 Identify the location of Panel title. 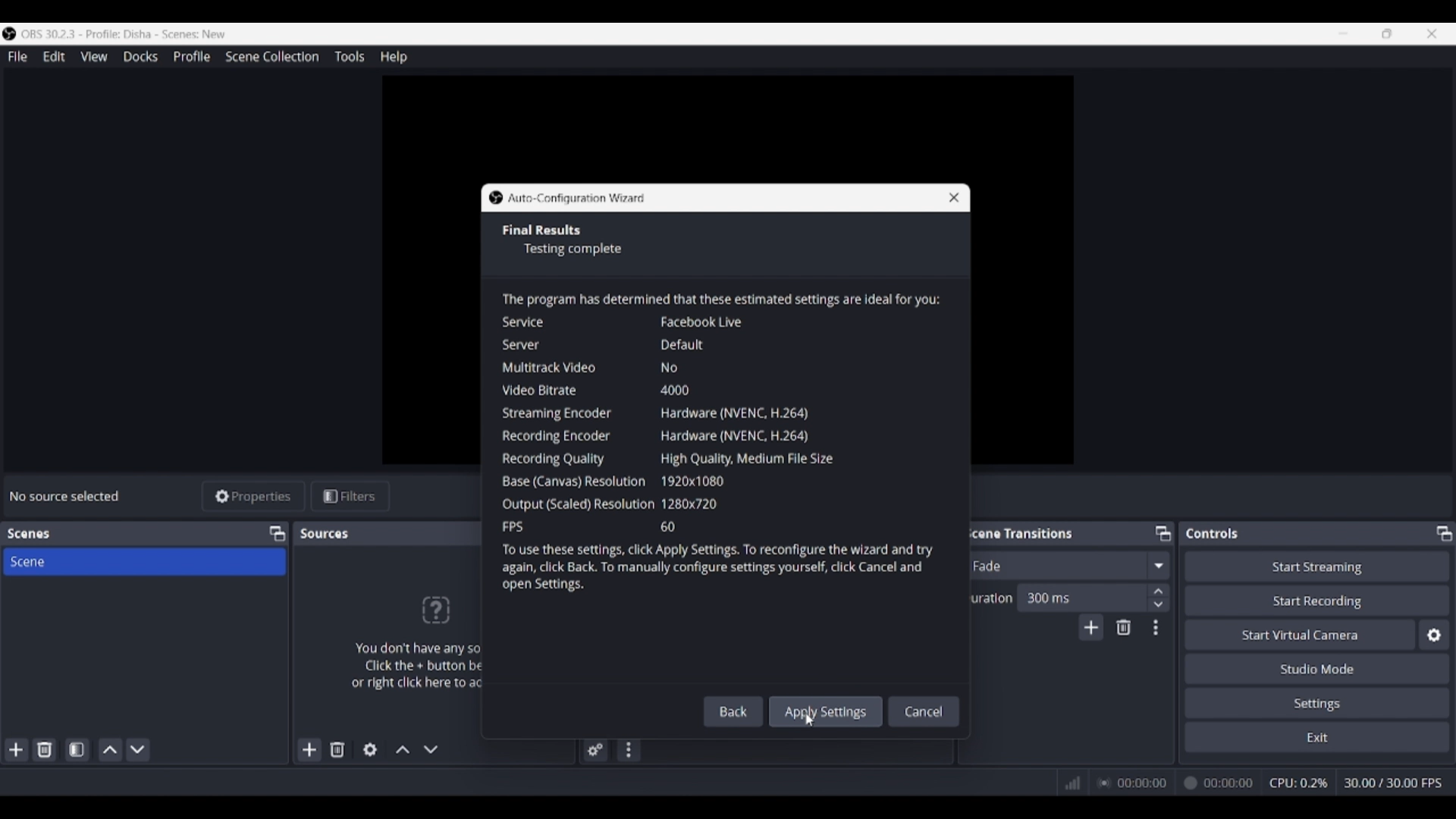
(1213, 533).